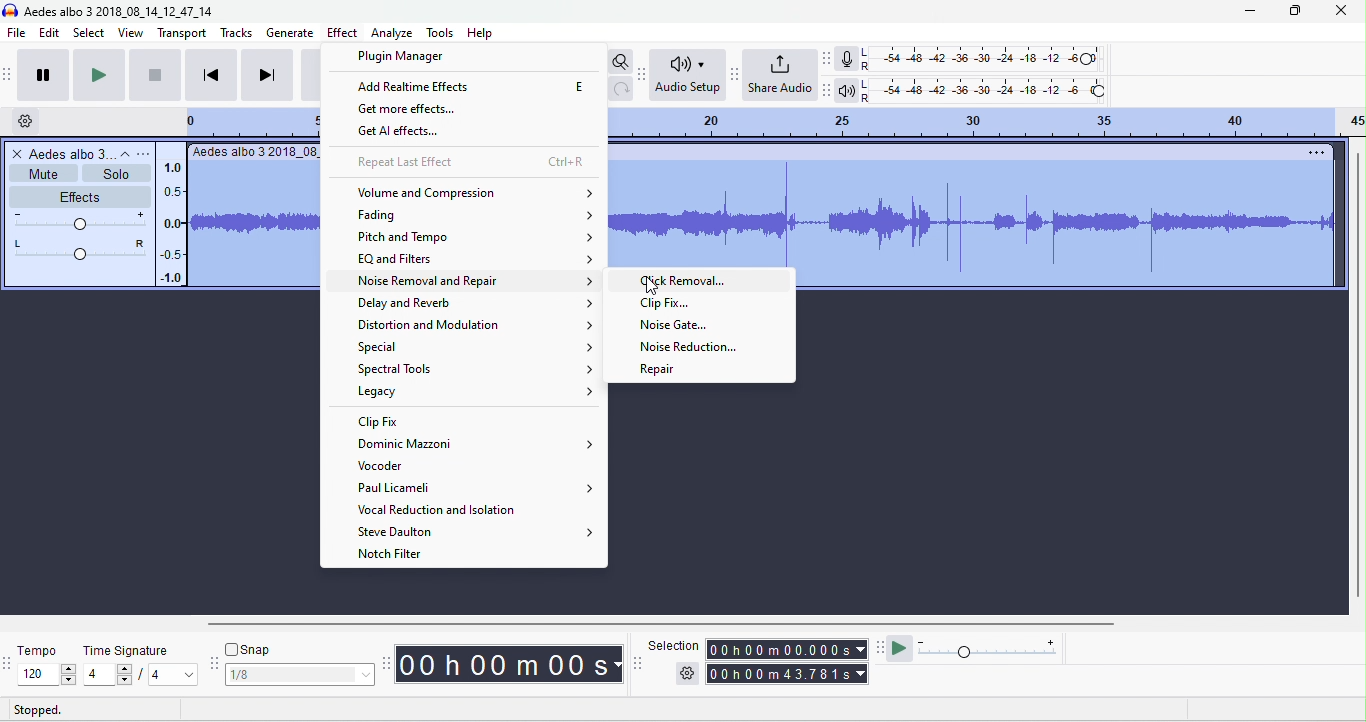 This screenshot has width=1366, height=722. I want to click on transport, so click(180, 33).